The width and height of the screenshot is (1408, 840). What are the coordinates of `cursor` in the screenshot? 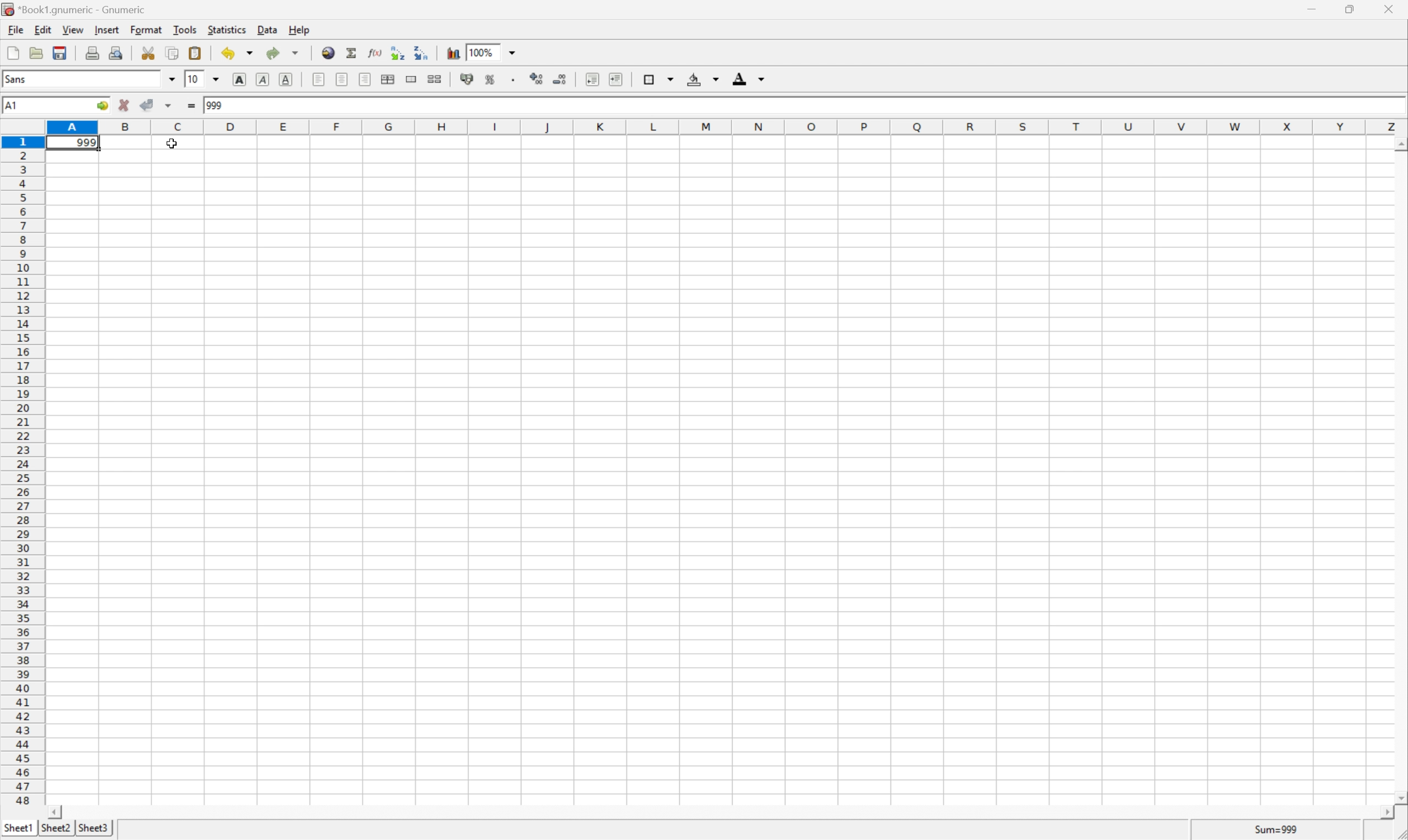 It's located at (172, 143).